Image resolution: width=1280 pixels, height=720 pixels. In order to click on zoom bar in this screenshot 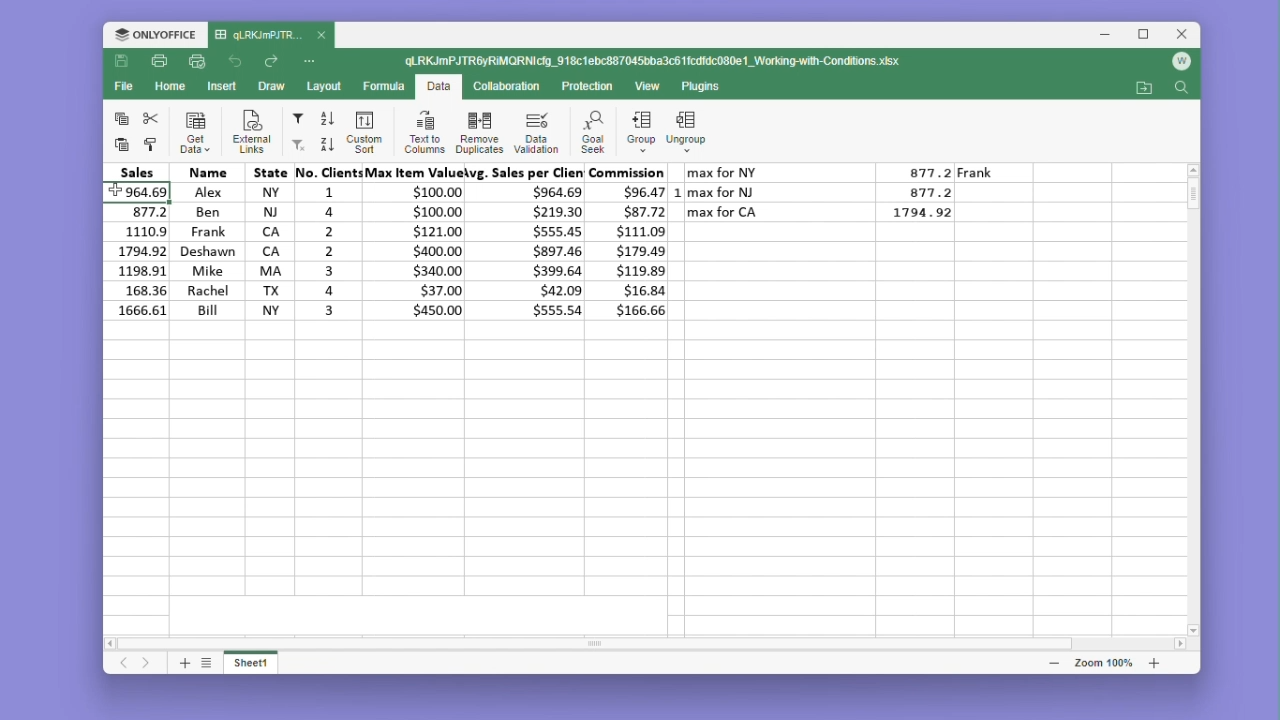, I will do `click(1102, 662)`.